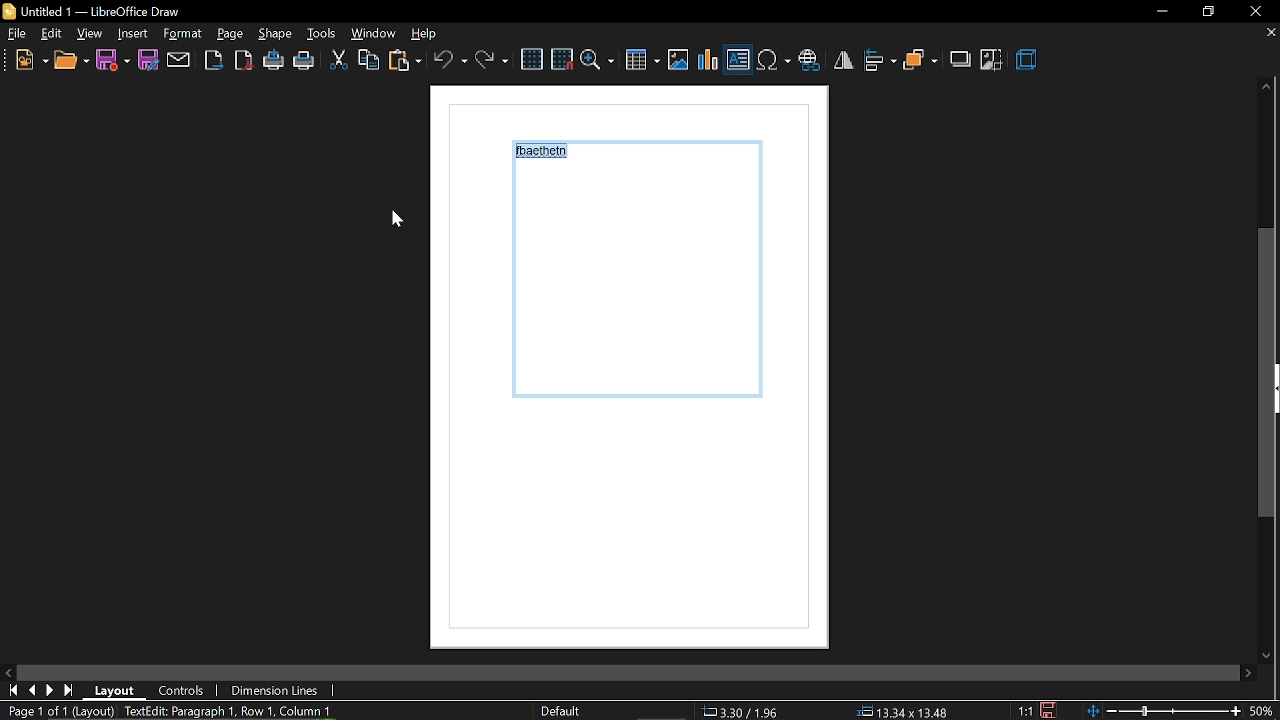 The height and width of the screenshot is (720, 1280). I want to click on Insert text, so click(738, 59).